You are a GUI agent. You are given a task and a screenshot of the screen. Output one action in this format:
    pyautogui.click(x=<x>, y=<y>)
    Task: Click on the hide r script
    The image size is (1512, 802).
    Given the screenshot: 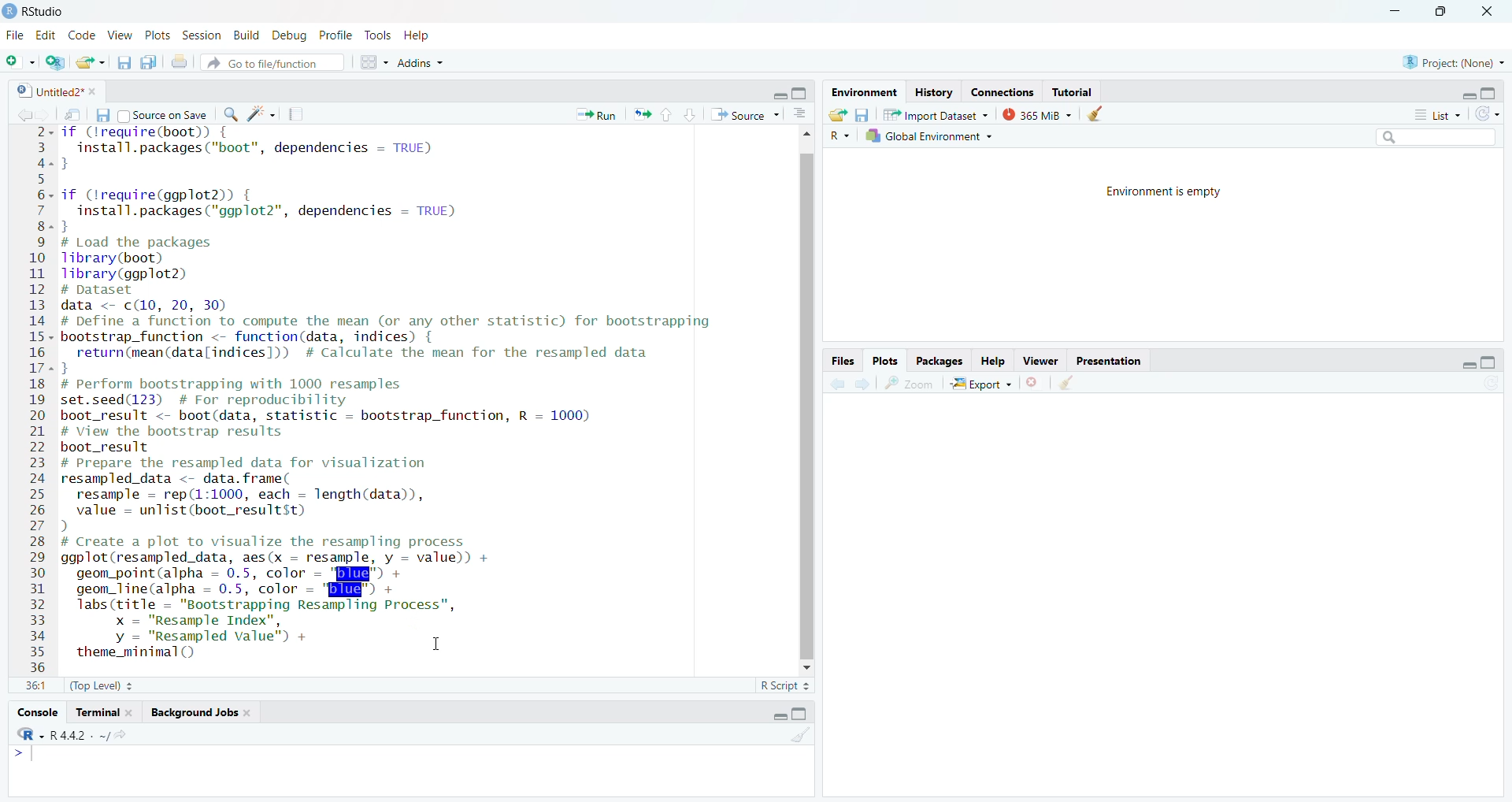 What is the action you would take?
    pyautogui.click(x=1463, y=364)
    